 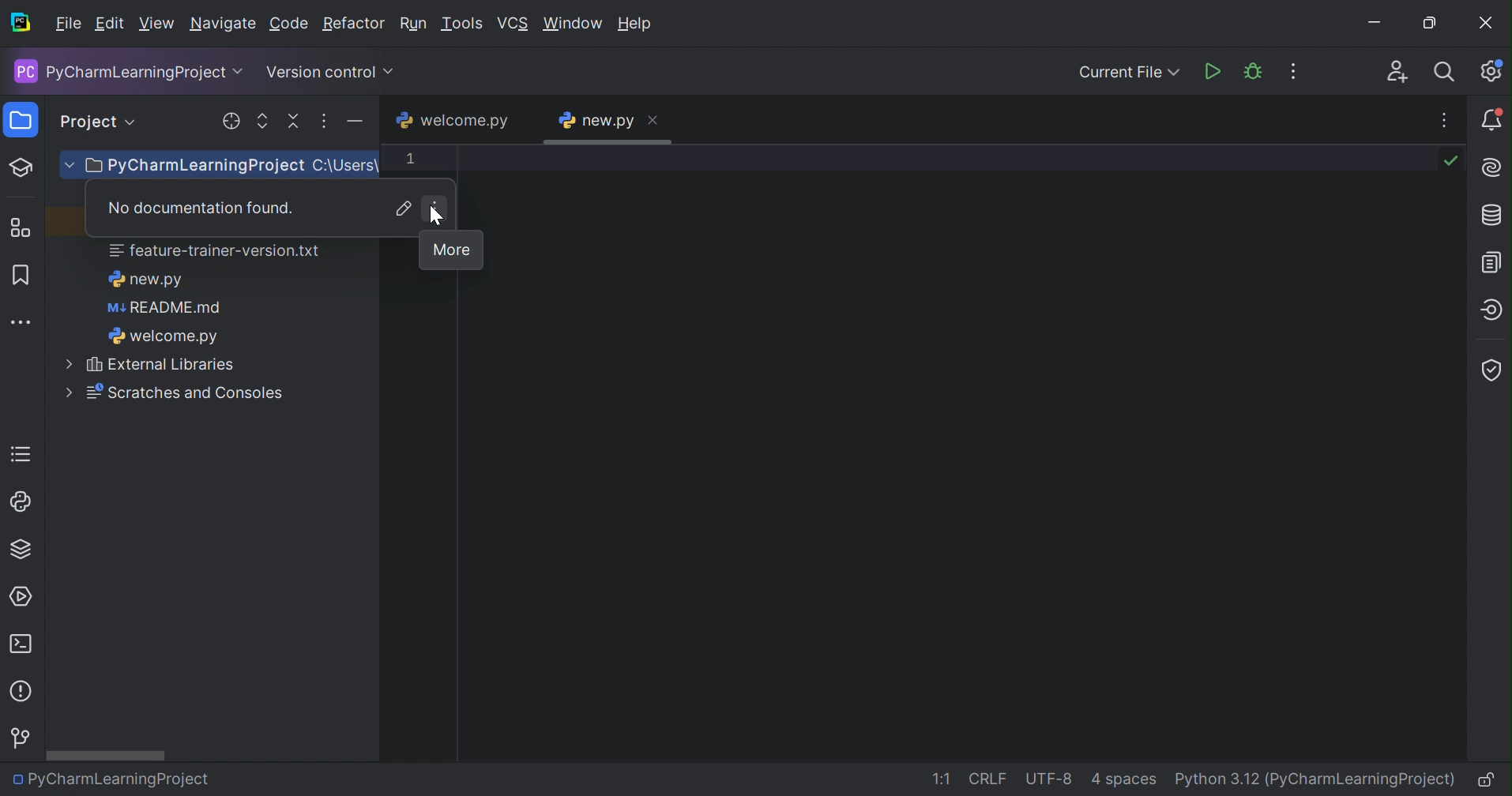 I want to click on work space, so click(x=958, y=453).